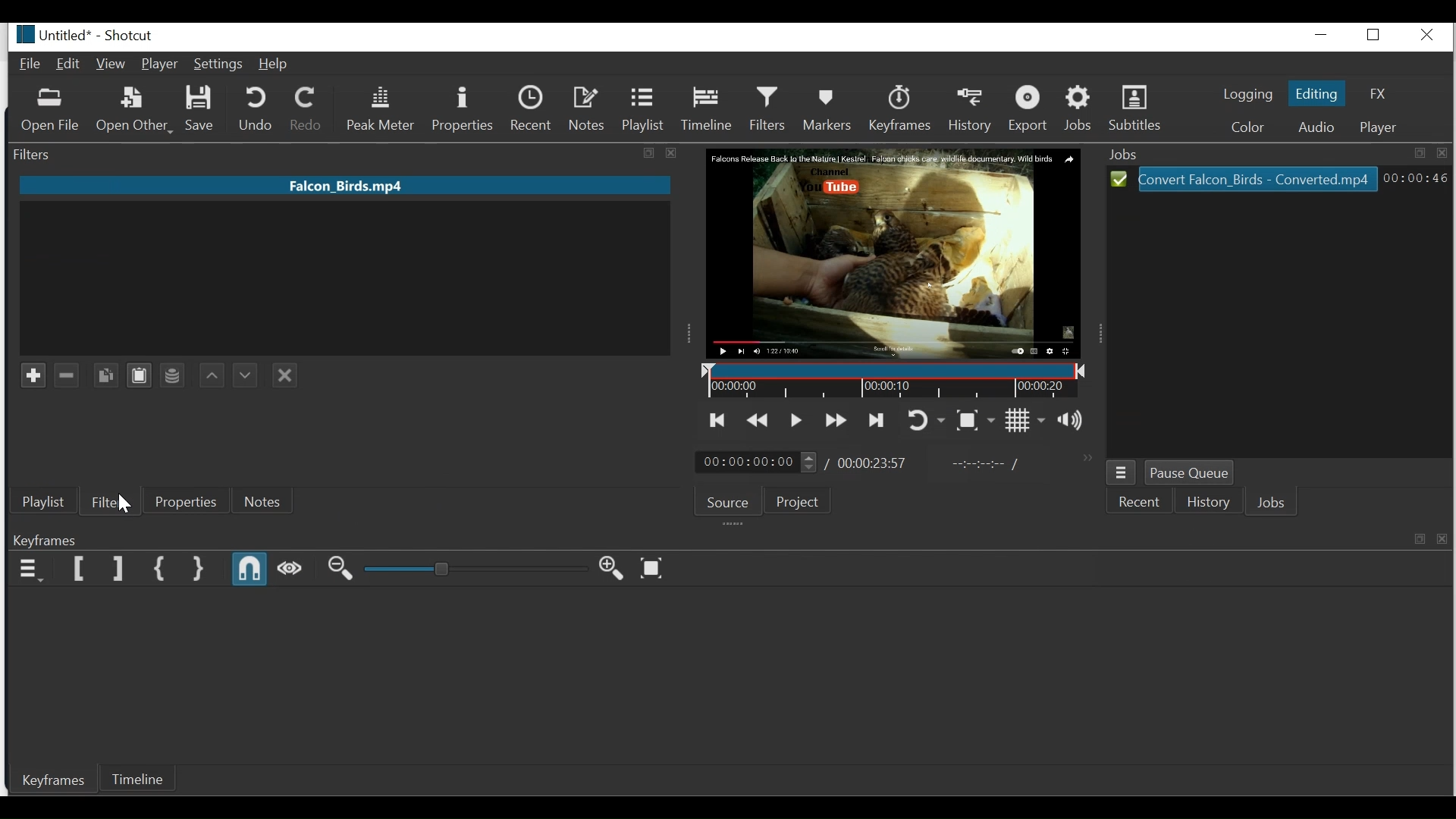 The image size is (1456, 819). Describe the element at coordinates (290, 571) in the screenshot. I see `Scrub Wile dragging` at that location.